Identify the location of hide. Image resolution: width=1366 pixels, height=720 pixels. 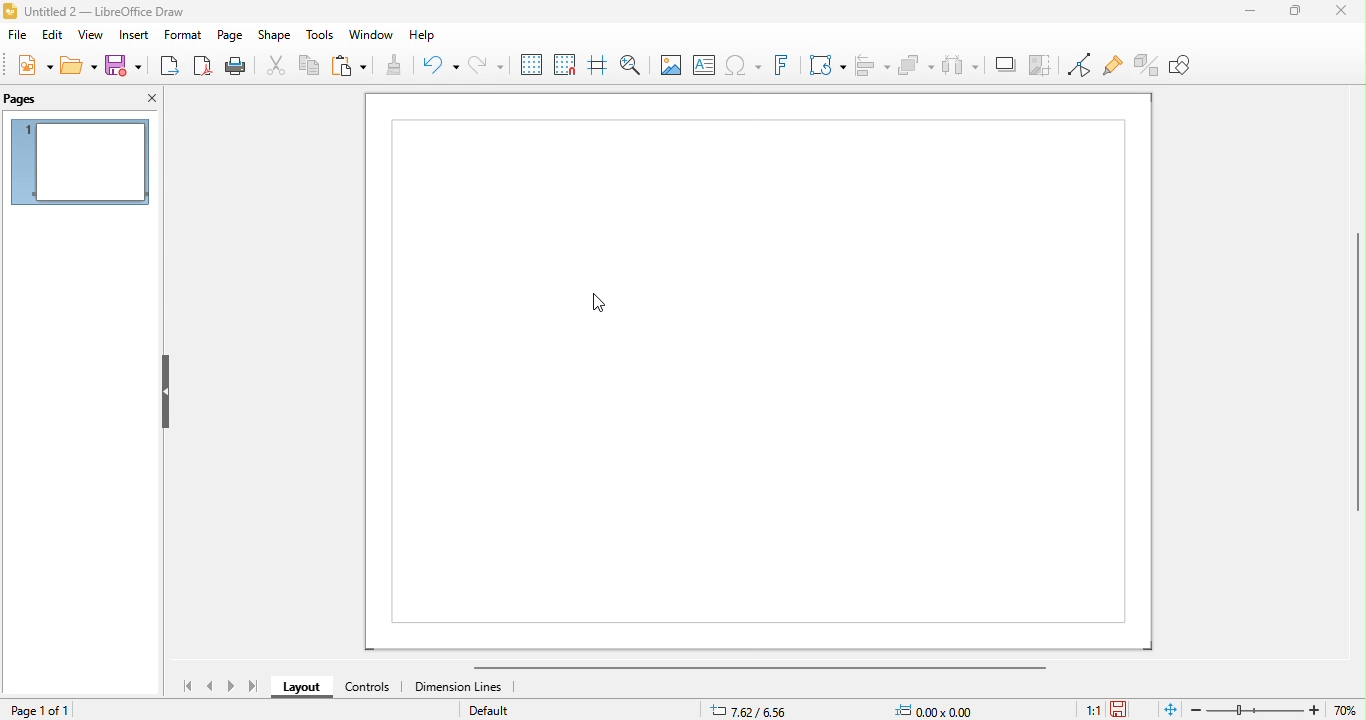
(165, 392).